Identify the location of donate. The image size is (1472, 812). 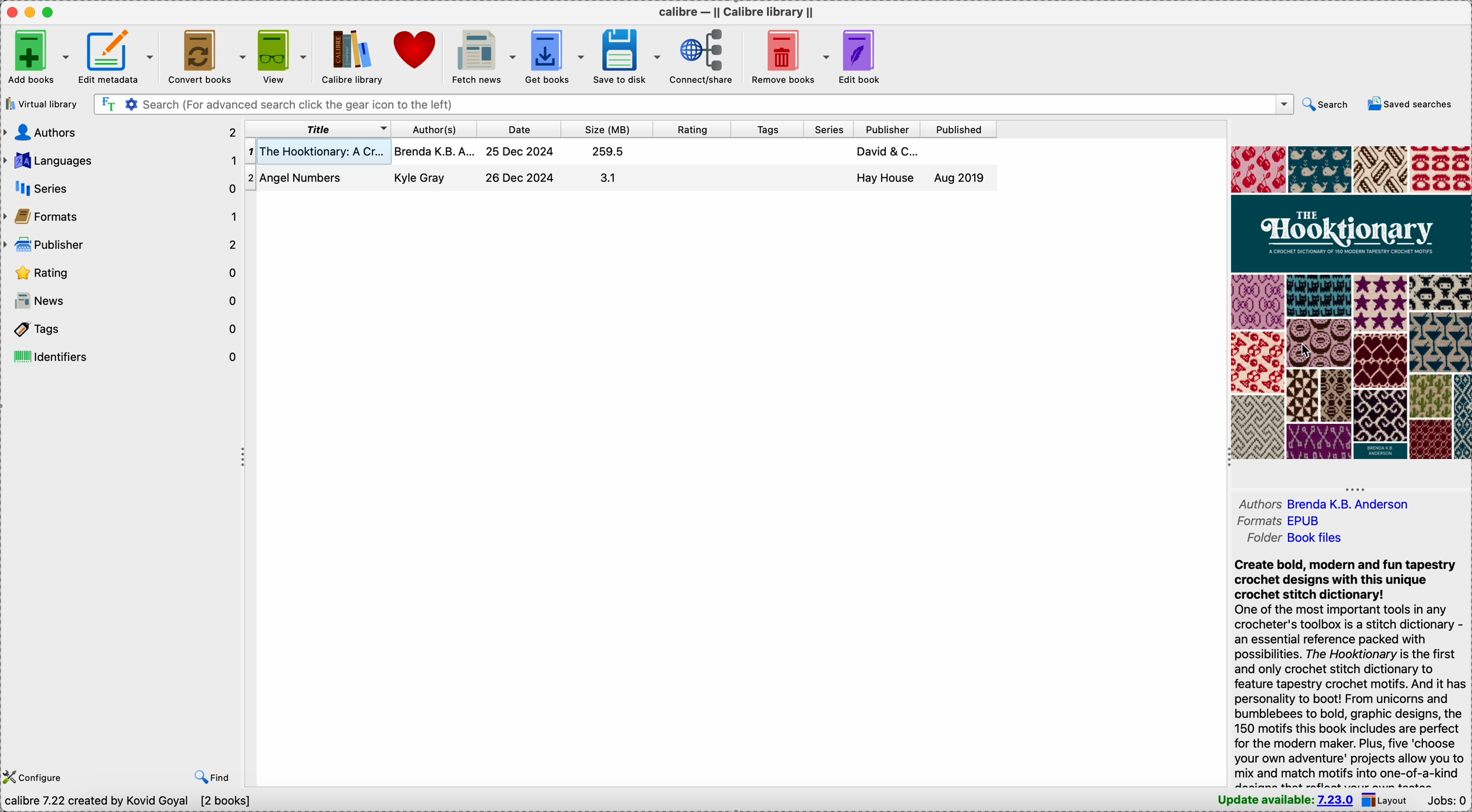
(417, 49).